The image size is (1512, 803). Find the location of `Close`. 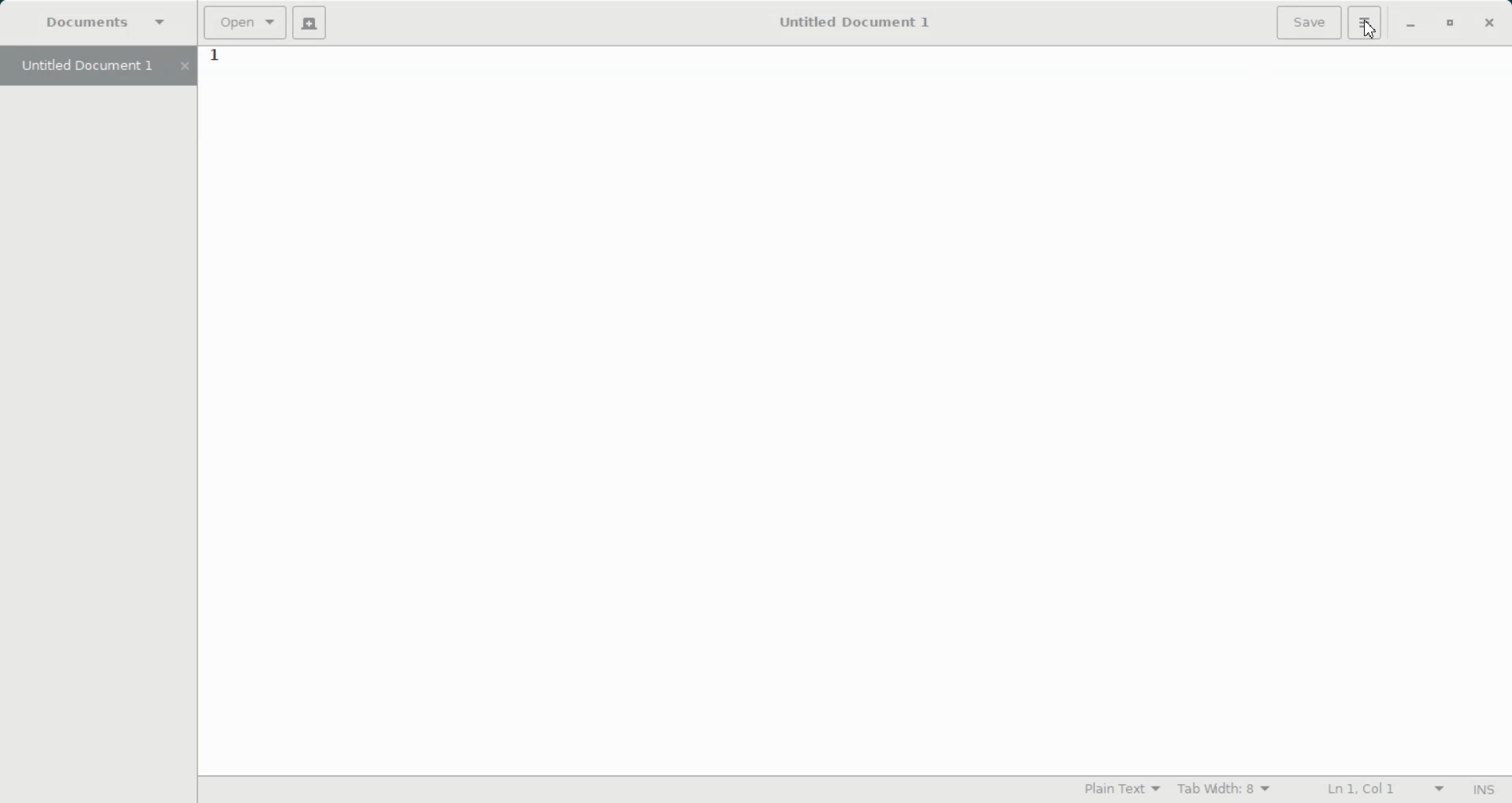

Close is located at coordinates (1488, 24).